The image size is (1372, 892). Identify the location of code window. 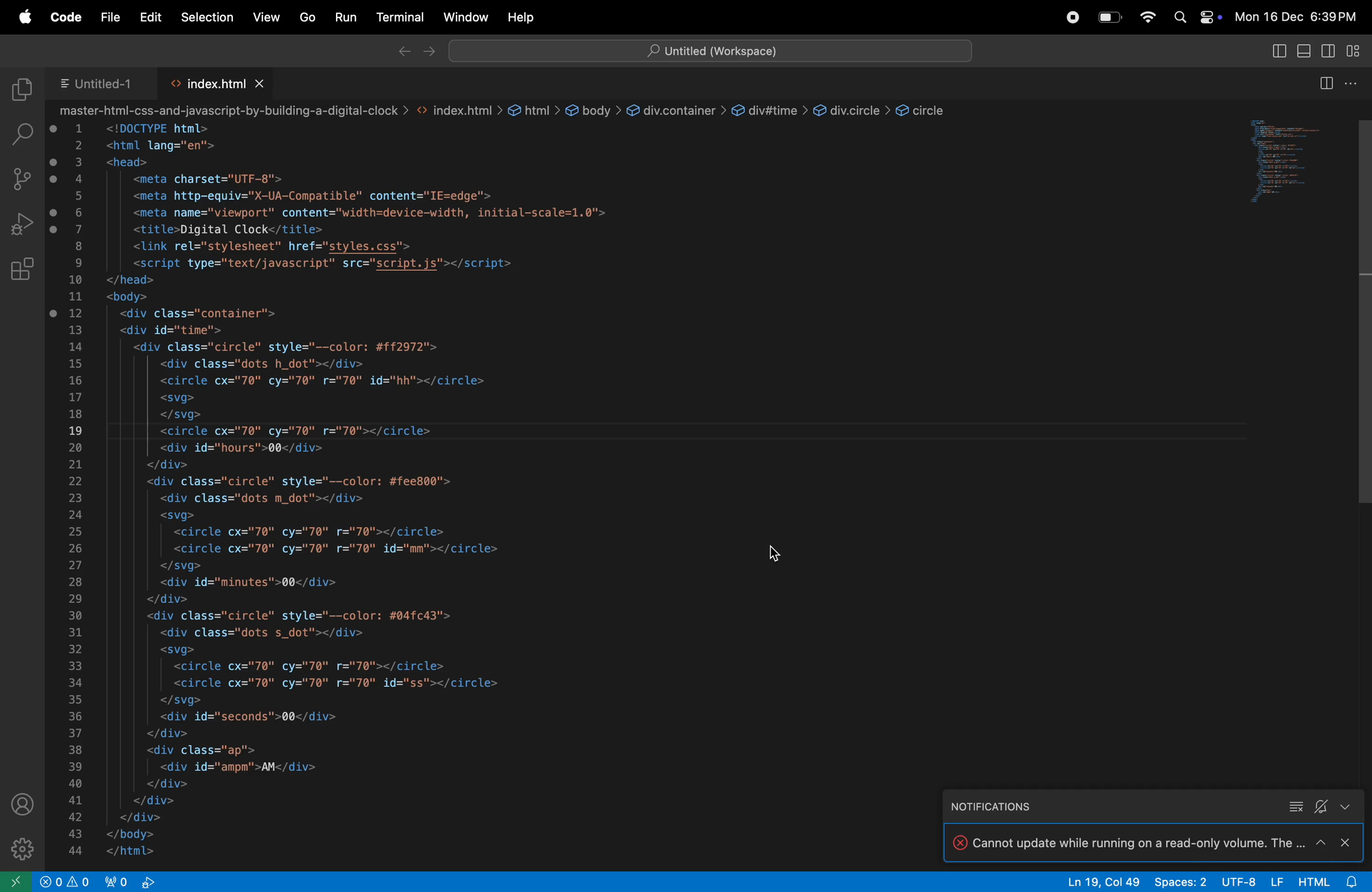
(1306, 159).